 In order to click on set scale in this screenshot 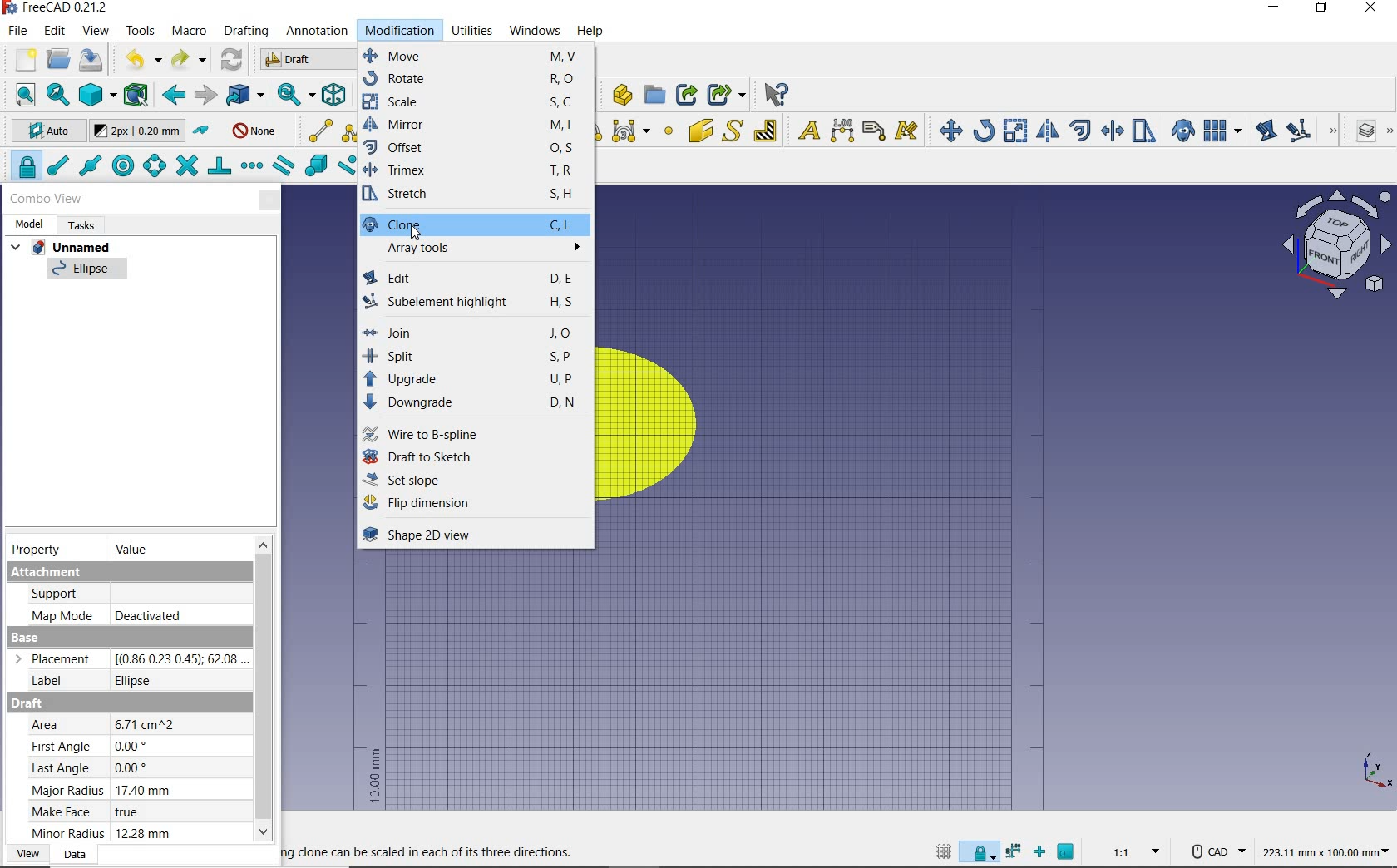, I will do `click(1131, 852)`.